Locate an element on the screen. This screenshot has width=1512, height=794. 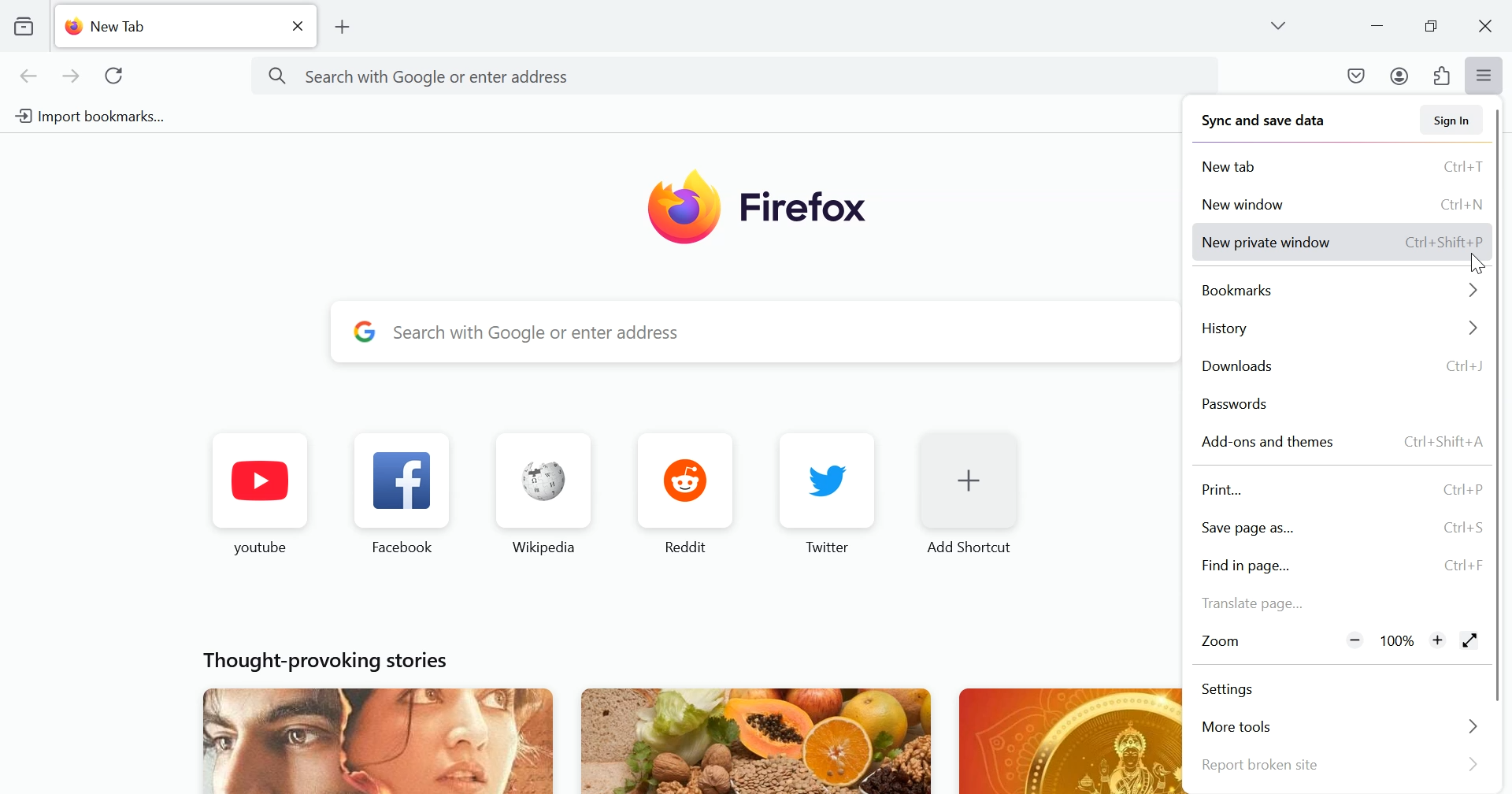
View recent browsing across windows and devices is located at coordinates (23, 25).